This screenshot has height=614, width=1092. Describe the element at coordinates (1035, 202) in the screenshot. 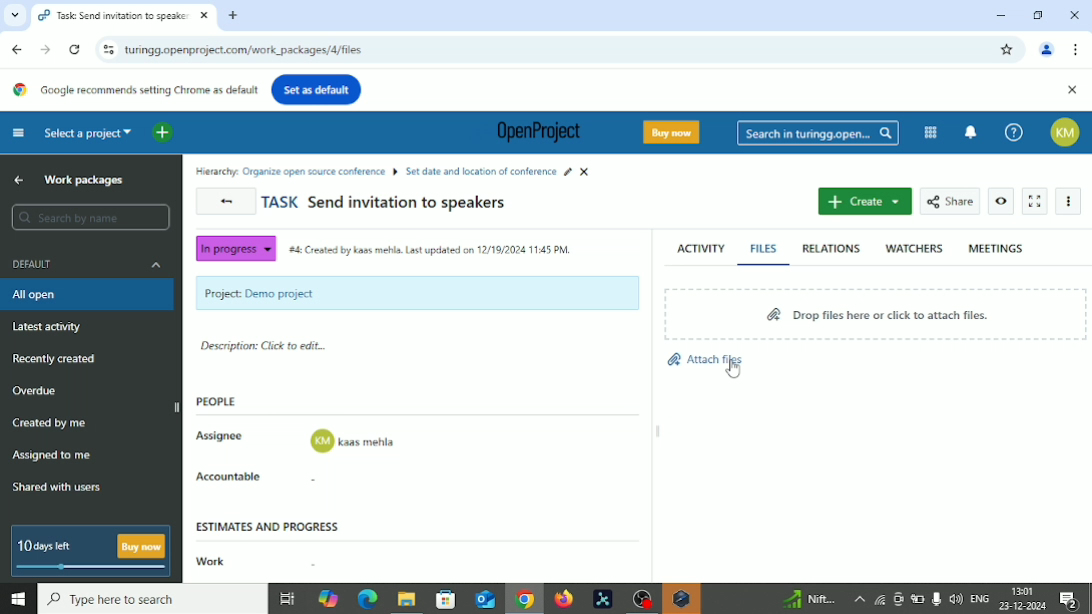

I see `Activate zen mode` at that location.